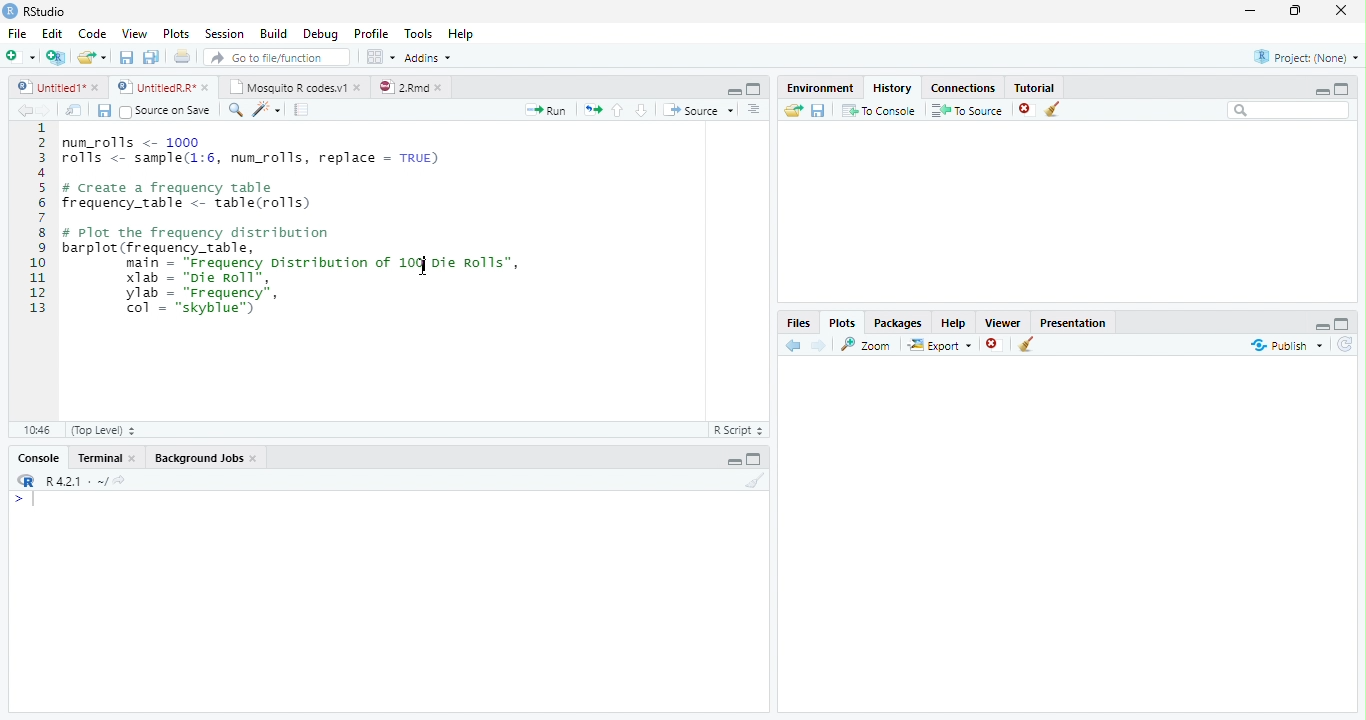 The width and height of the screenshot is (1366, 720). Describe the element at coordinates (732, 91) in the screenshot. I see `Hide` at that location.